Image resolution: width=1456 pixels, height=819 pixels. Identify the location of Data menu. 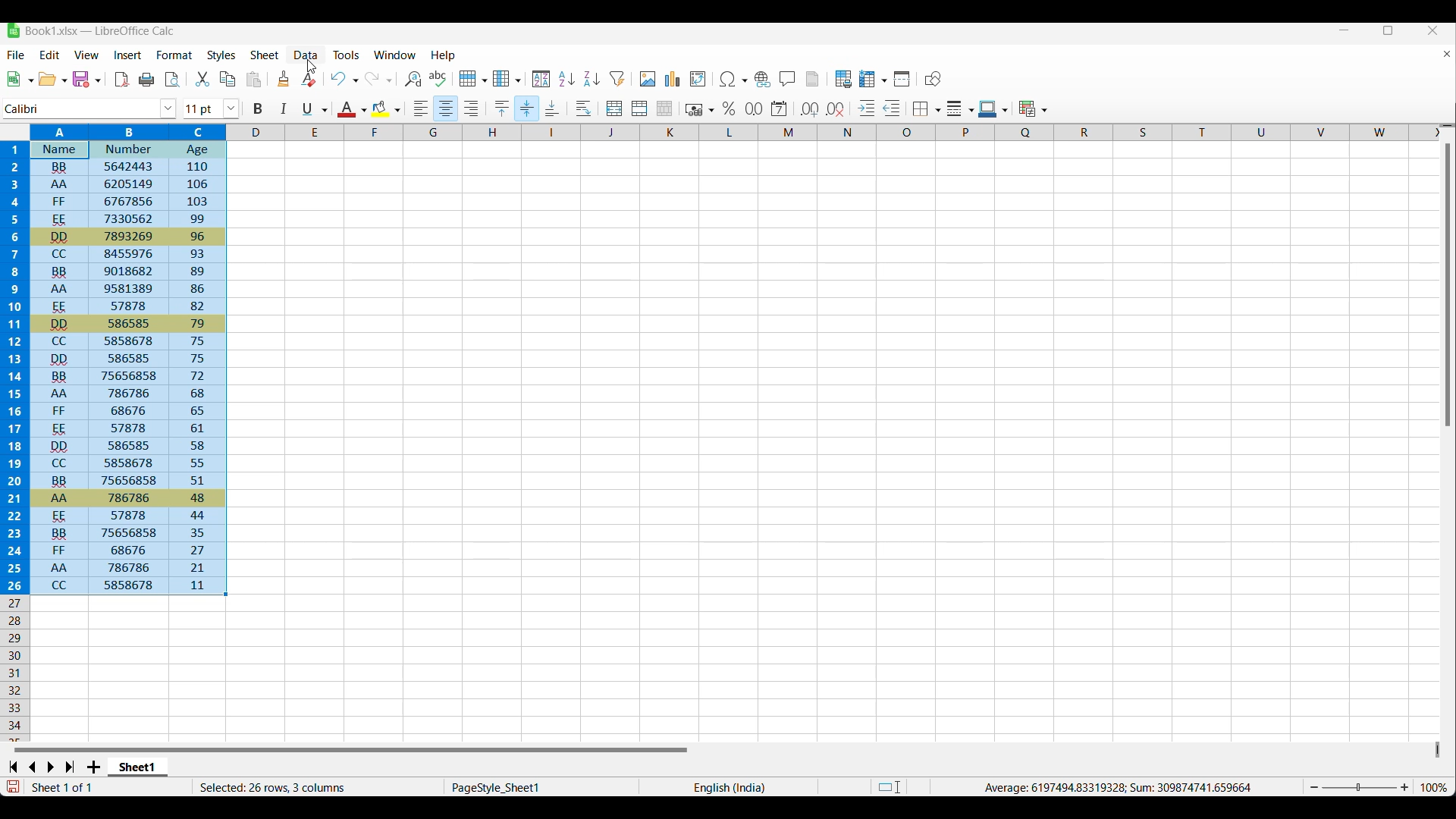
(306, 55).